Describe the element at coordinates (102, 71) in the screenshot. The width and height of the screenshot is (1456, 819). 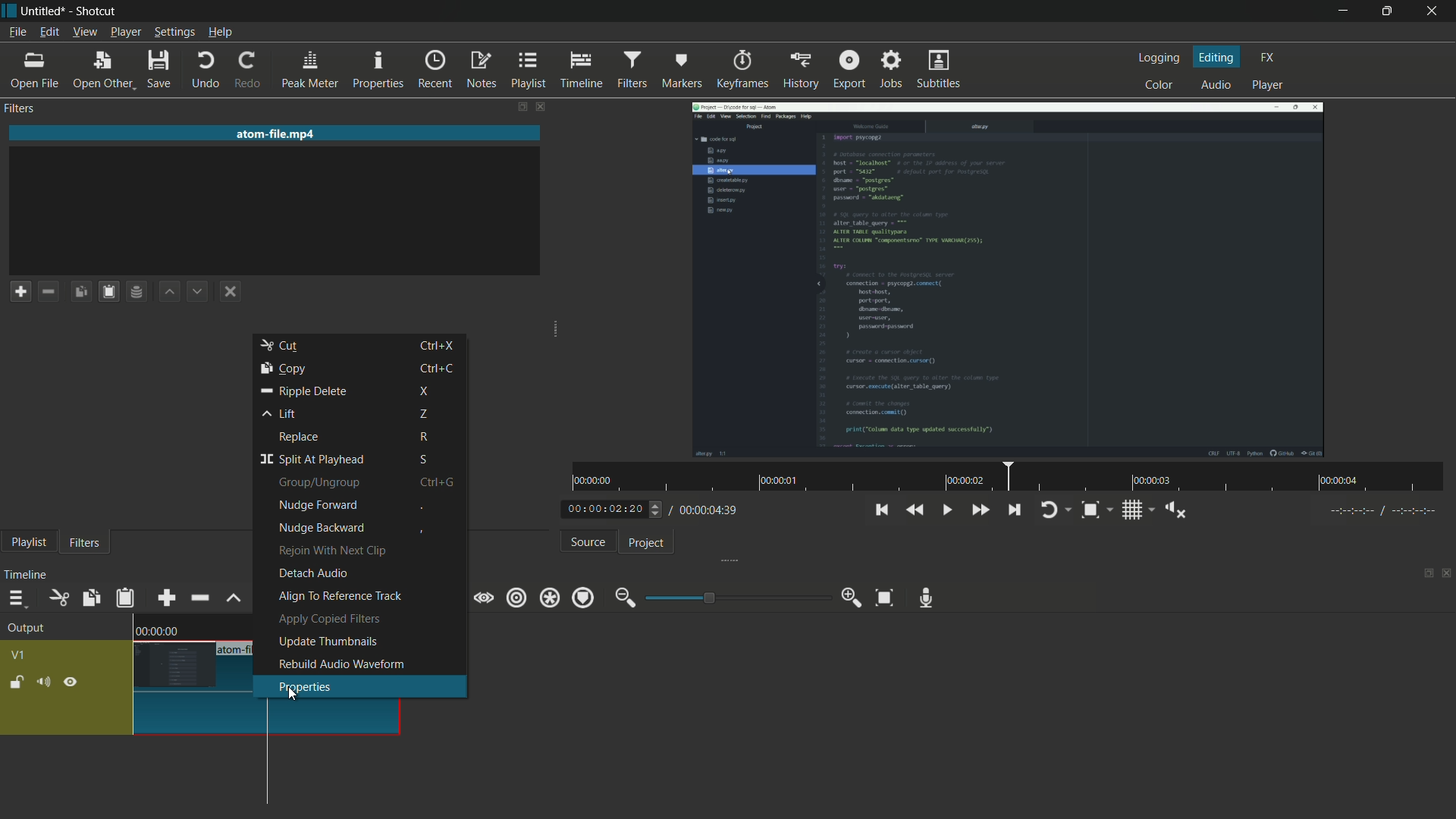
I see `open other` at that location.